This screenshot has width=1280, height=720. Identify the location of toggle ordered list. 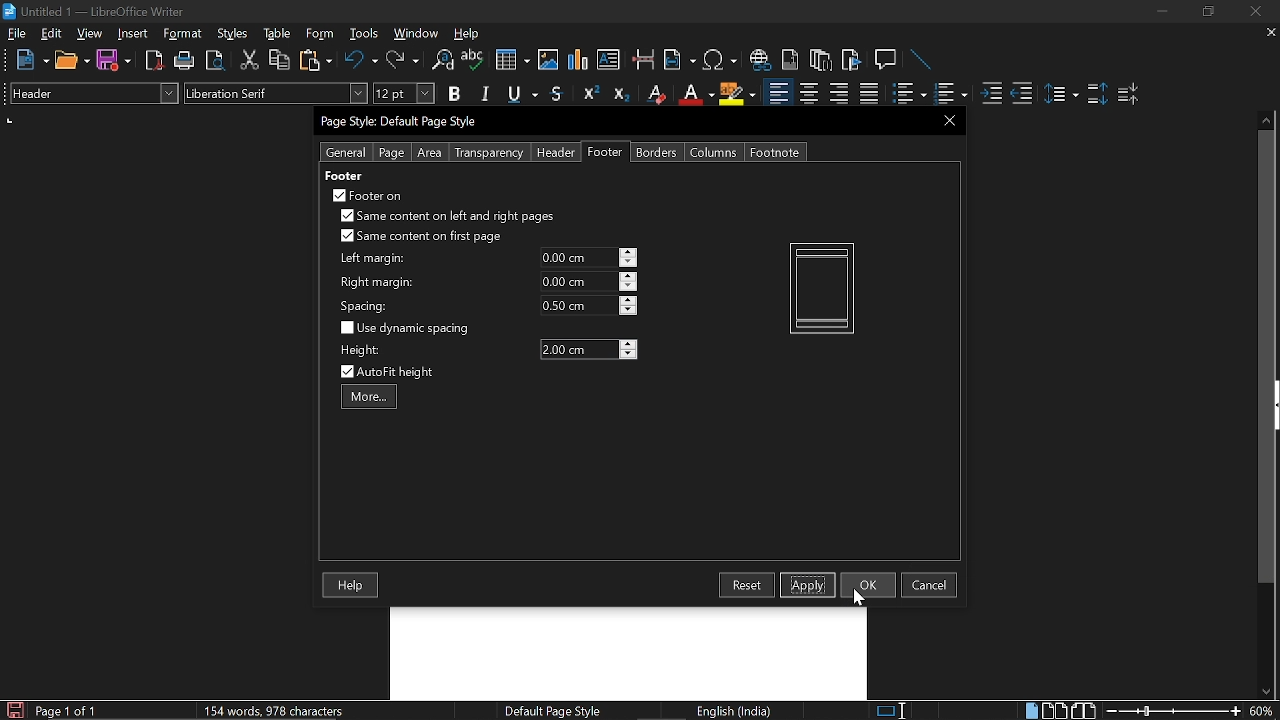
(909, 94).